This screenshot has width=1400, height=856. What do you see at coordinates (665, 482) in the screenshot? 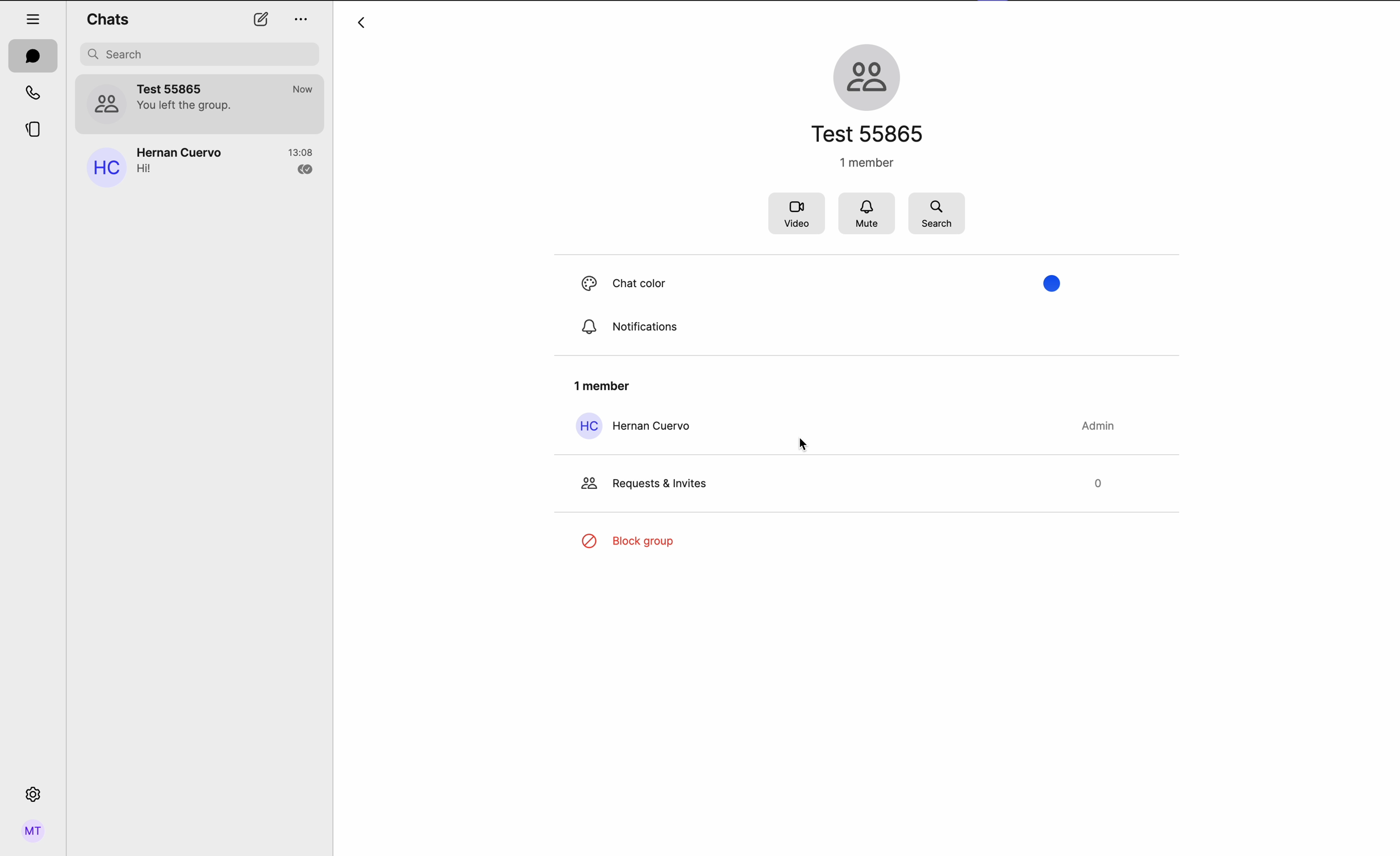
I see `Requests & Invites` at bounding box center [665, 482].